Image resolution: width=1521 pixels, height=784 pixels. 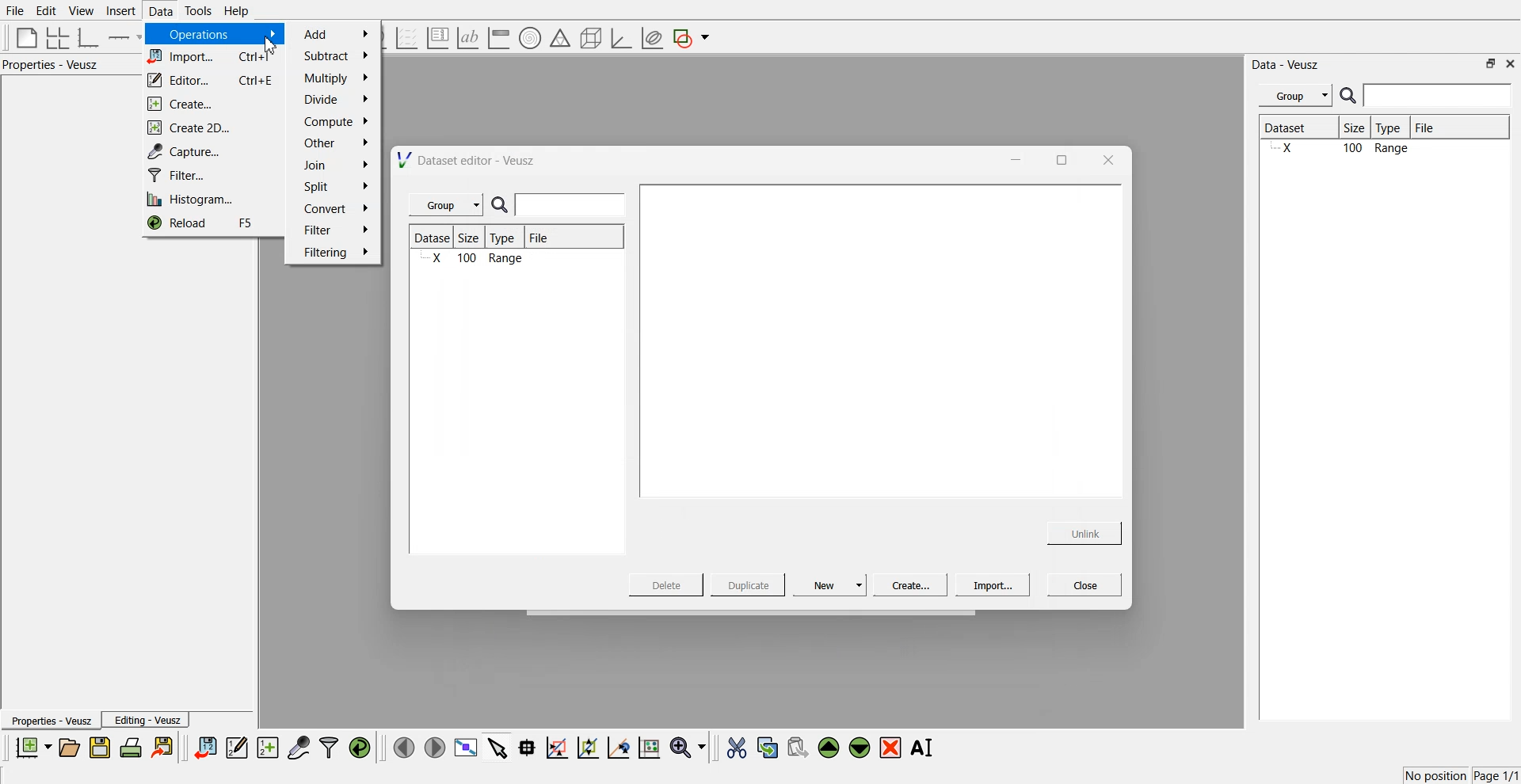 I want to click on Data, so click(x=159, y=11).